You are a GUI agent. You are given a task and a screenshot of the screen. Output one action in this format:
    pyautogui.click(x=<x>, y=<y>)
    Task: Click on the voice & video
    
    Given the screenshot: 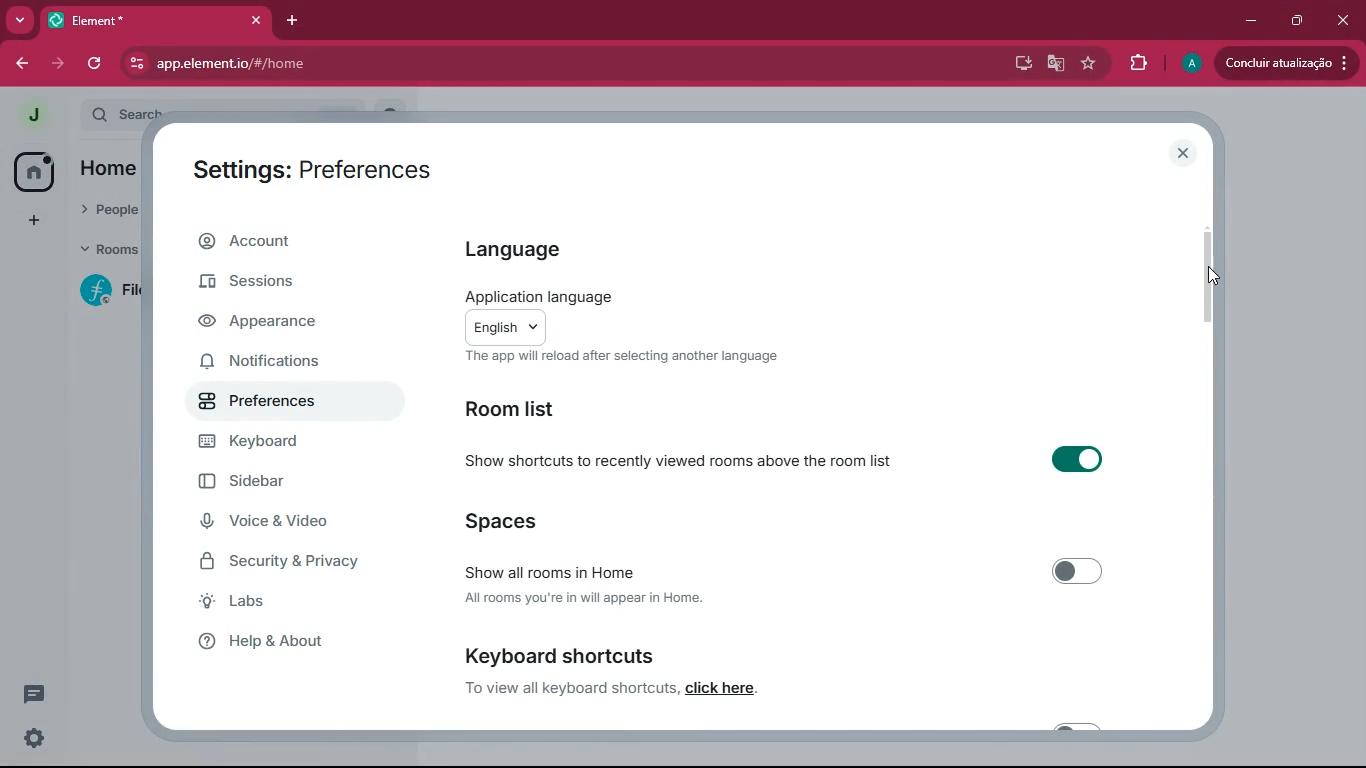 What is the action you would take?
    pyautogui.click(x=270, y=522)
    